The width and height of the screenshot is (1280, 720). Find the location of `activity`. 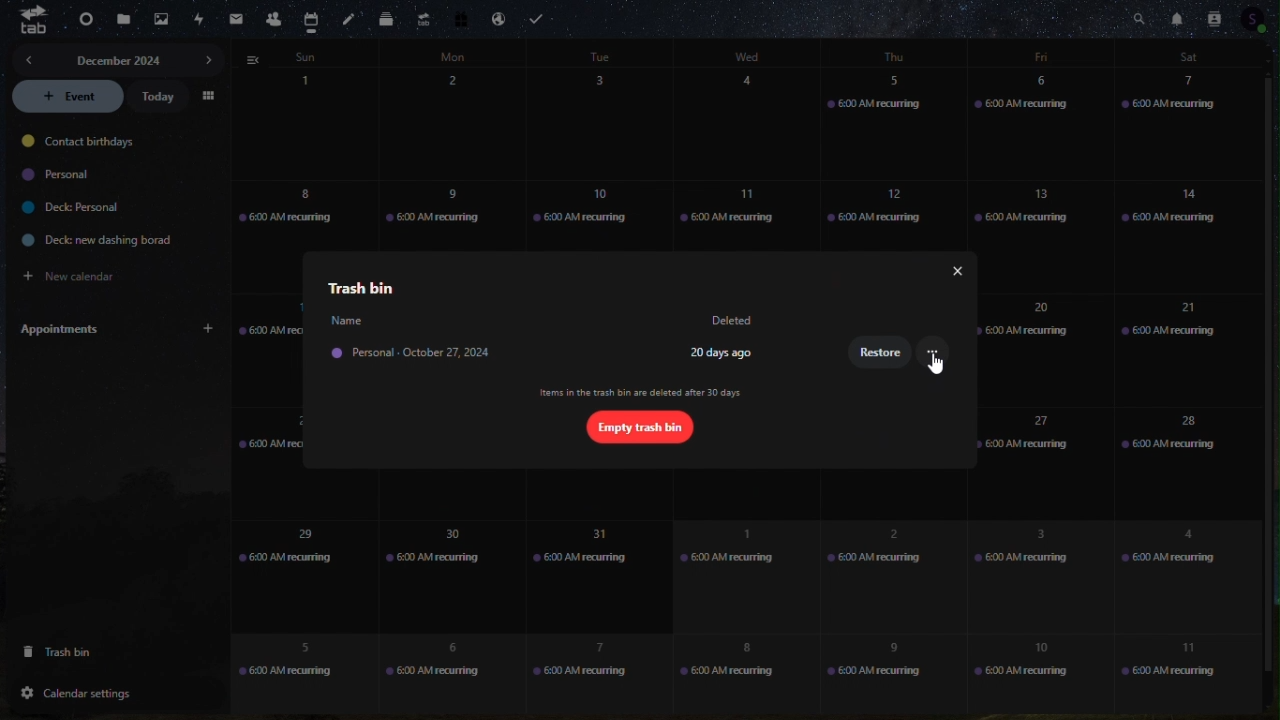

activity is located at coordinates (198, 20).